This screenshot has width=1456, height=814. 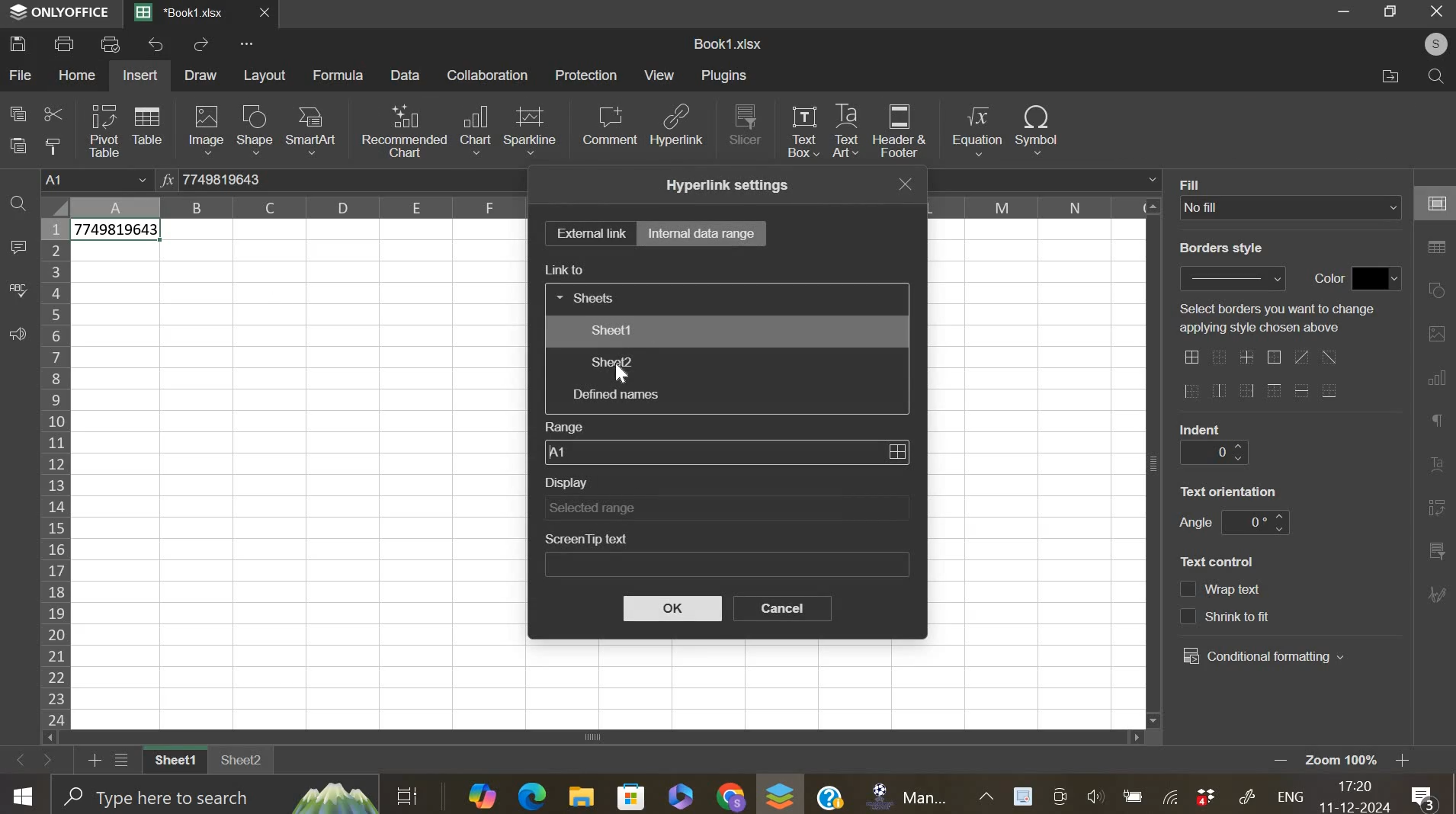 I want to click on collaboration, so click(x=489, y=75).